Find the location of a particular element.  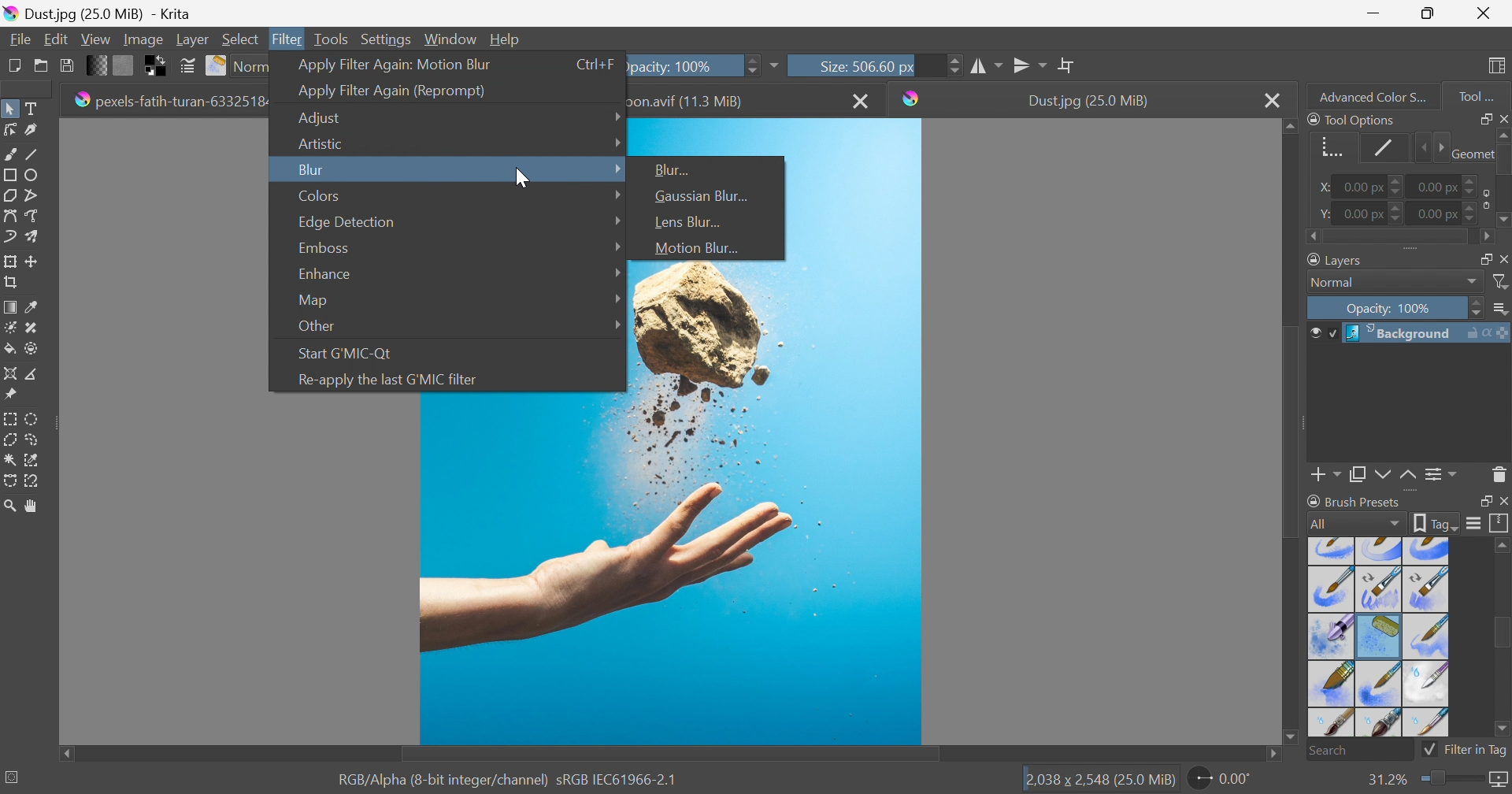

Drop Down is located at coordinates (615, 220).